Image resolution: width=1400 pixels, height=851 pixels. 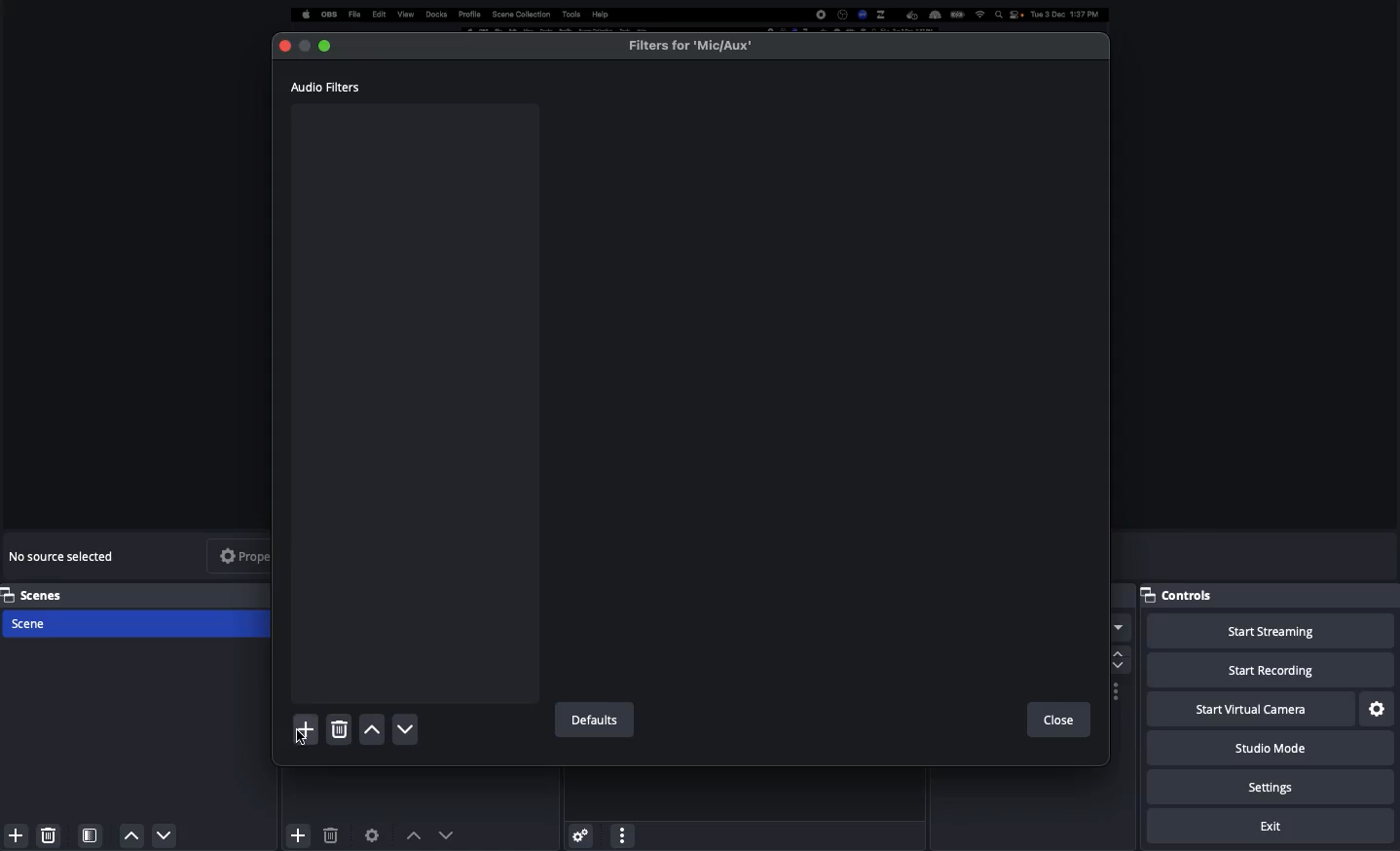 What do you see at coordinates (1273, 788) in the screenshot?
I see `Settings` at bounding box center [1273, 788].